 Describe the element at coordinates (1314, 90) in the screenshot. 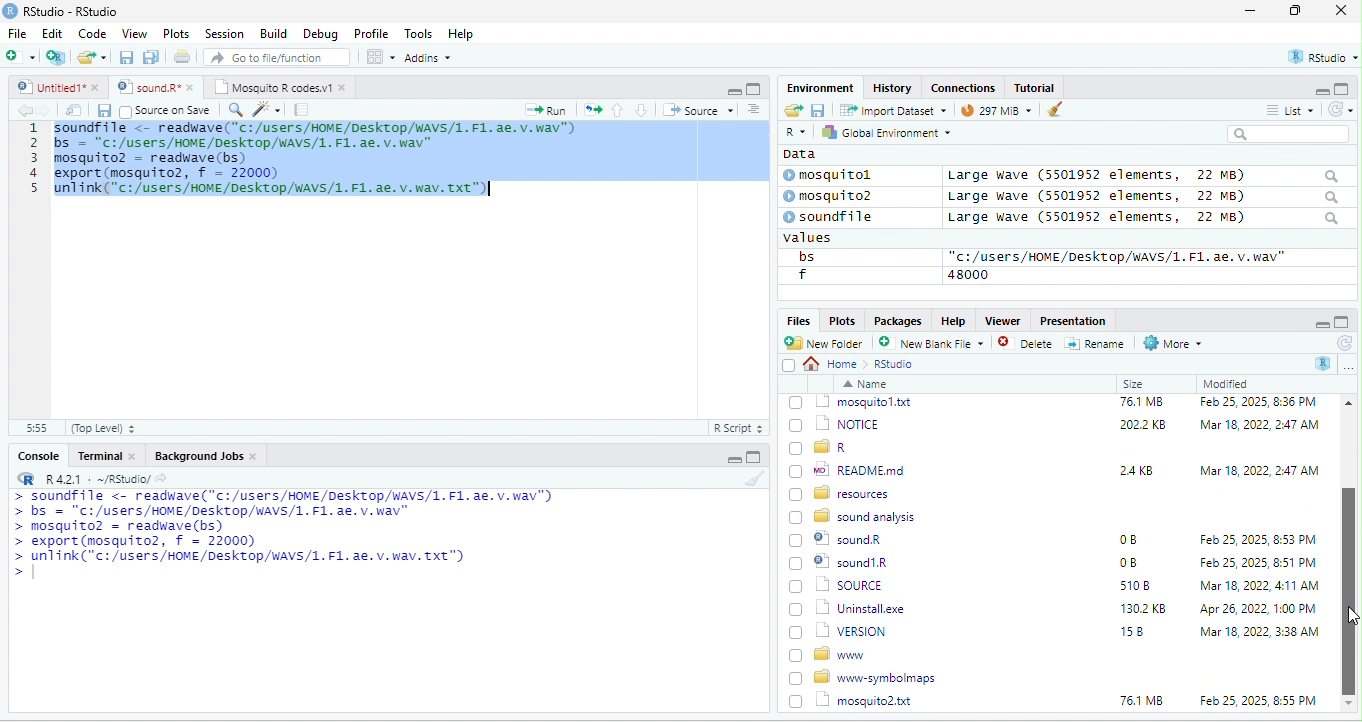

I see `minimize` at that location.